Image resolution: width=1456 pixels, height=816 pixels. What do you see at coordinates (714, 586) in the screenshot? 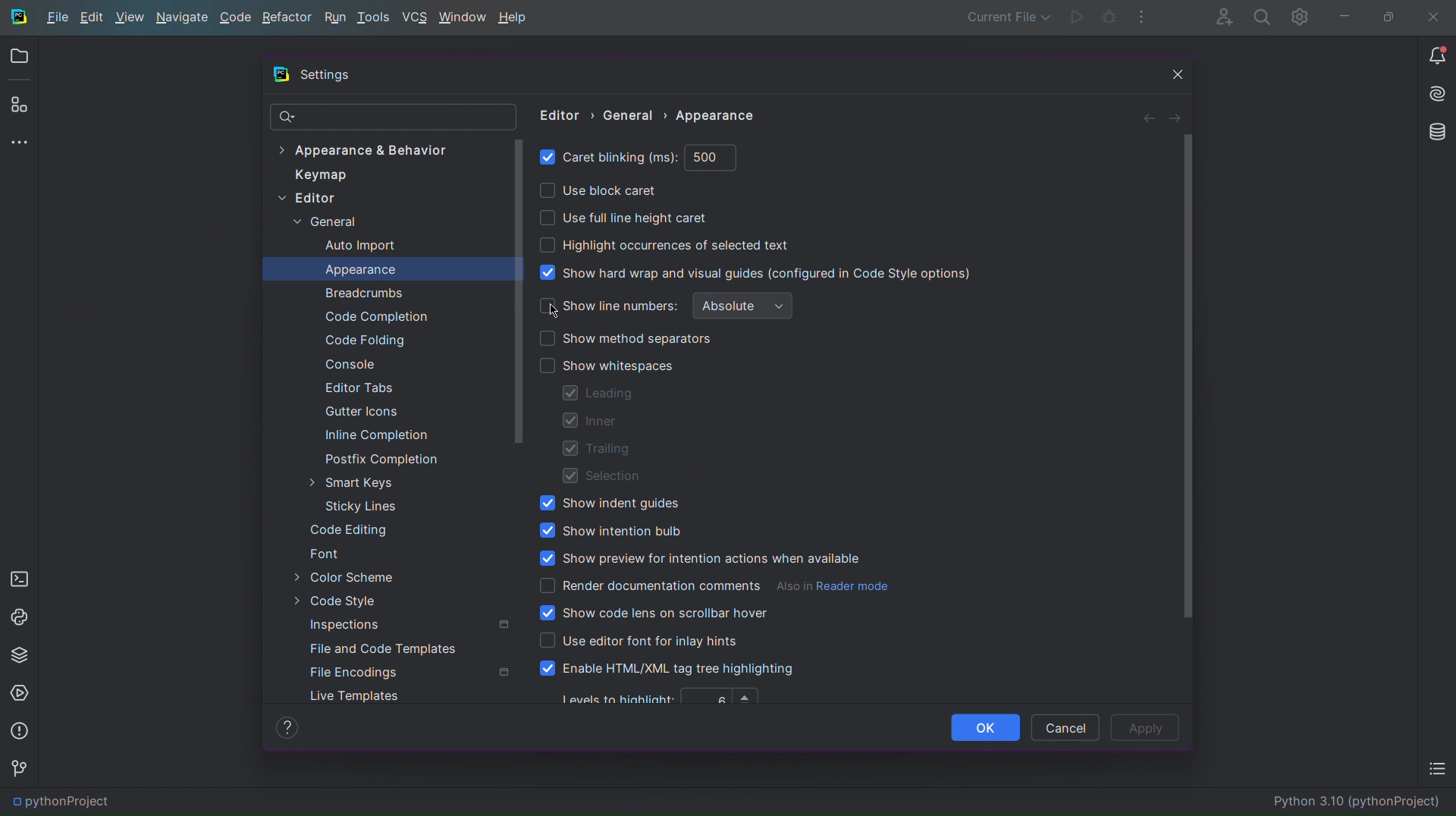
I see `Render documentation comments` at bounding box center [714, 586].